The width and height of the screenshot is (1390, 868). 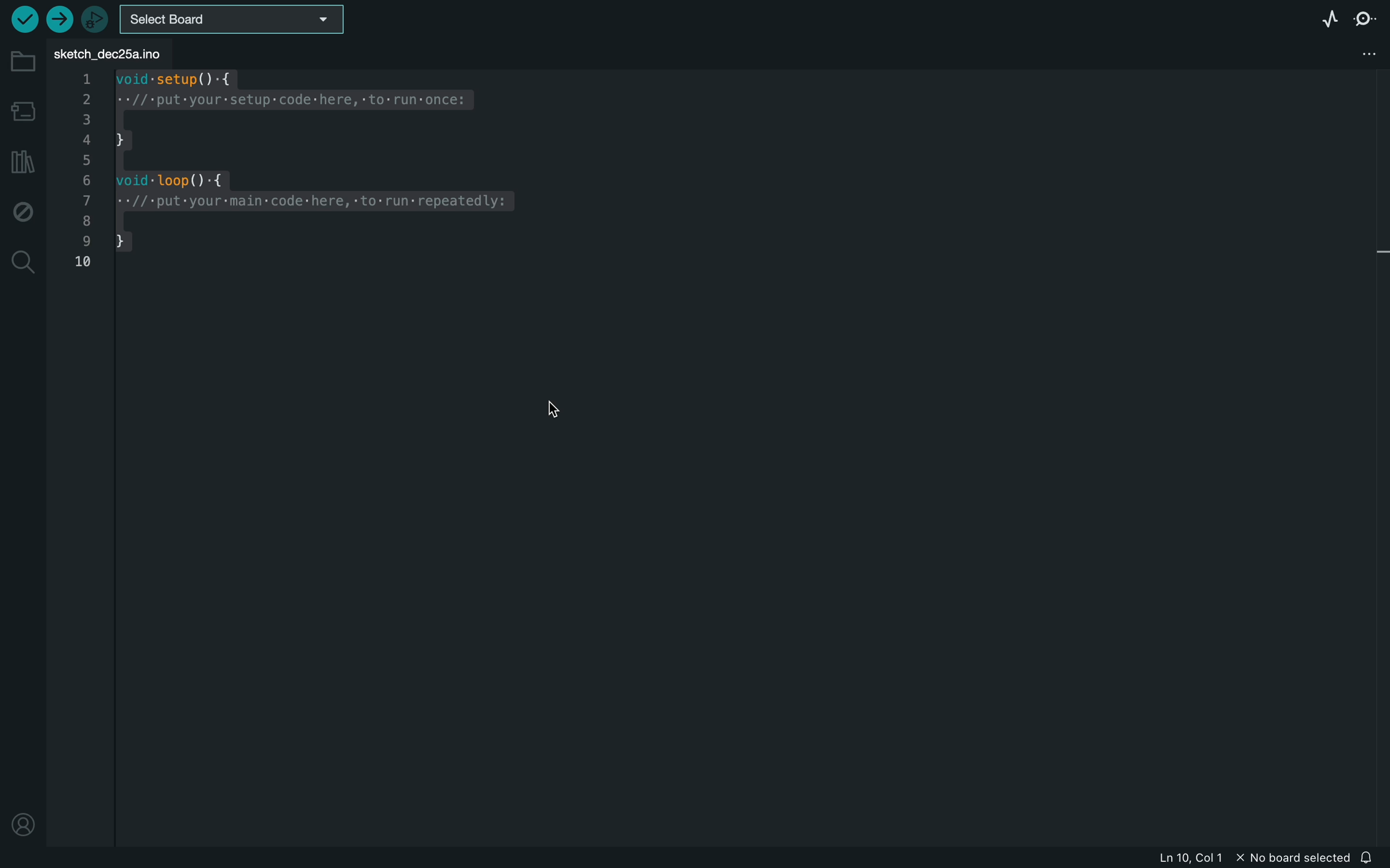 I want to click on serial plotter, so click(x=1320, y=20).